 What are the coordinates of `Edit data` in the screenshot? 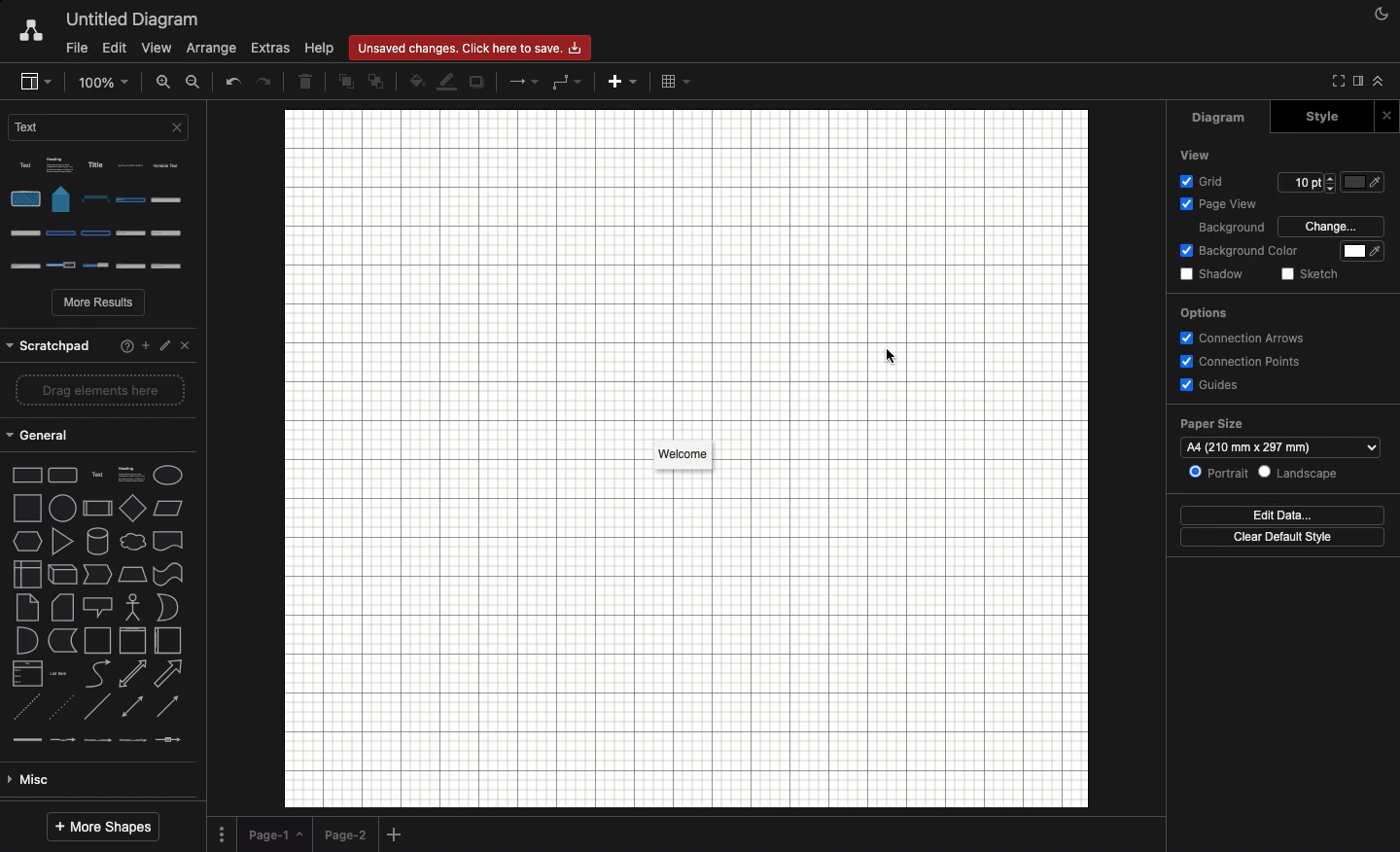 It's located at (1284, 515).